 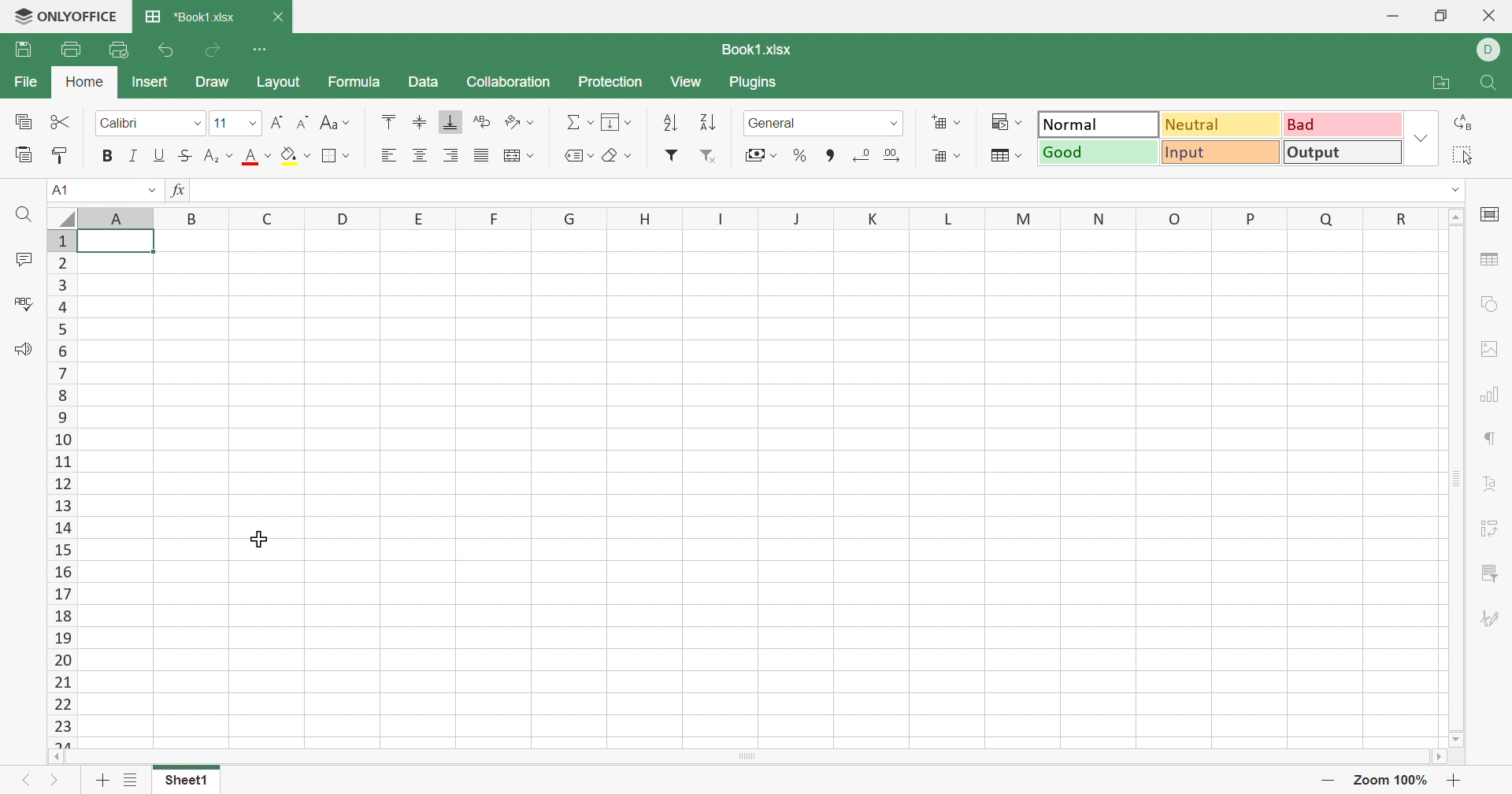 I want to click on Underline, so click(x=160, y=155).